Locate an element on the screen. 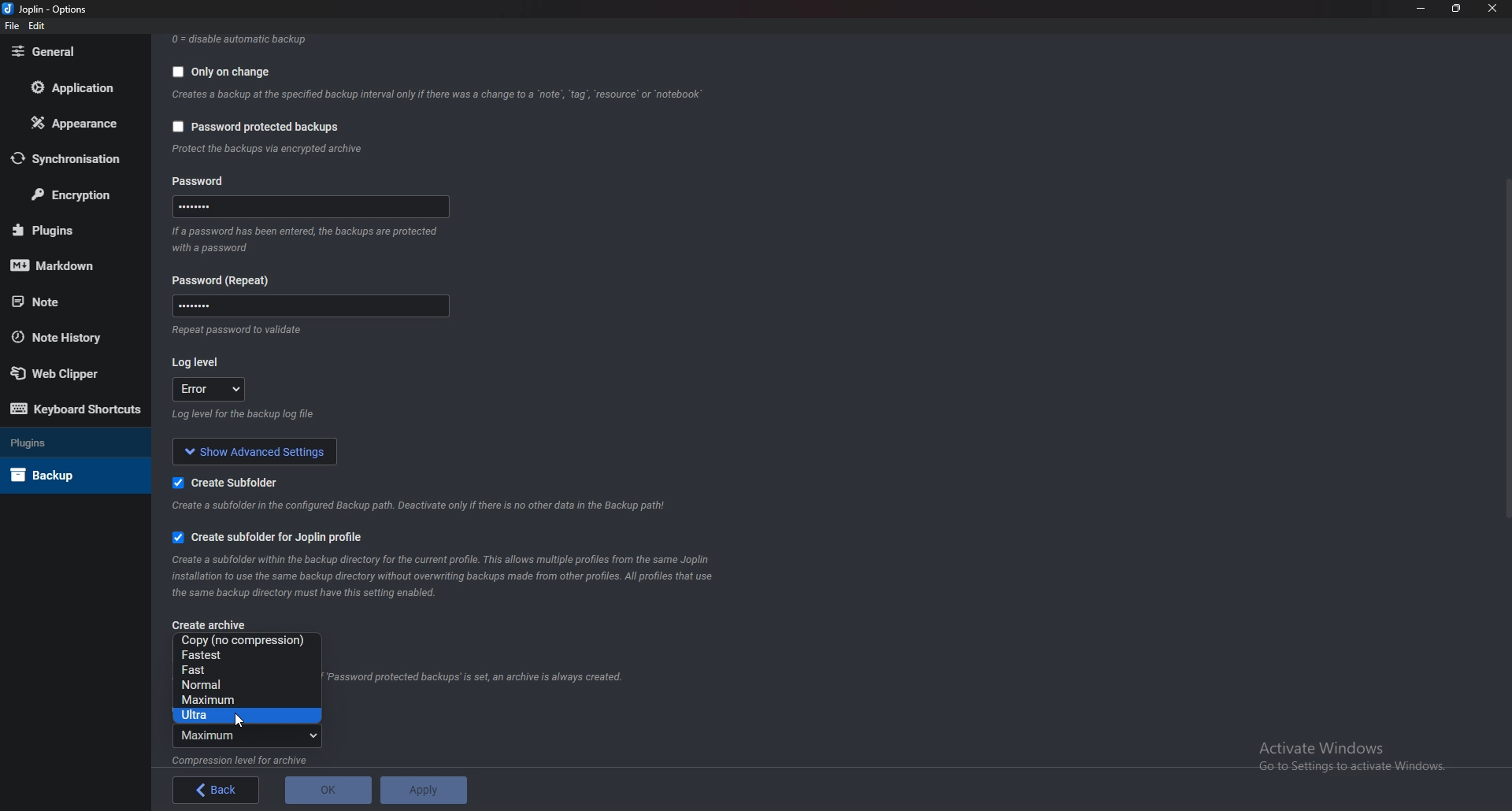 This screenshot has width=1512, height=811. markdown is located at coordinates (69, 264).